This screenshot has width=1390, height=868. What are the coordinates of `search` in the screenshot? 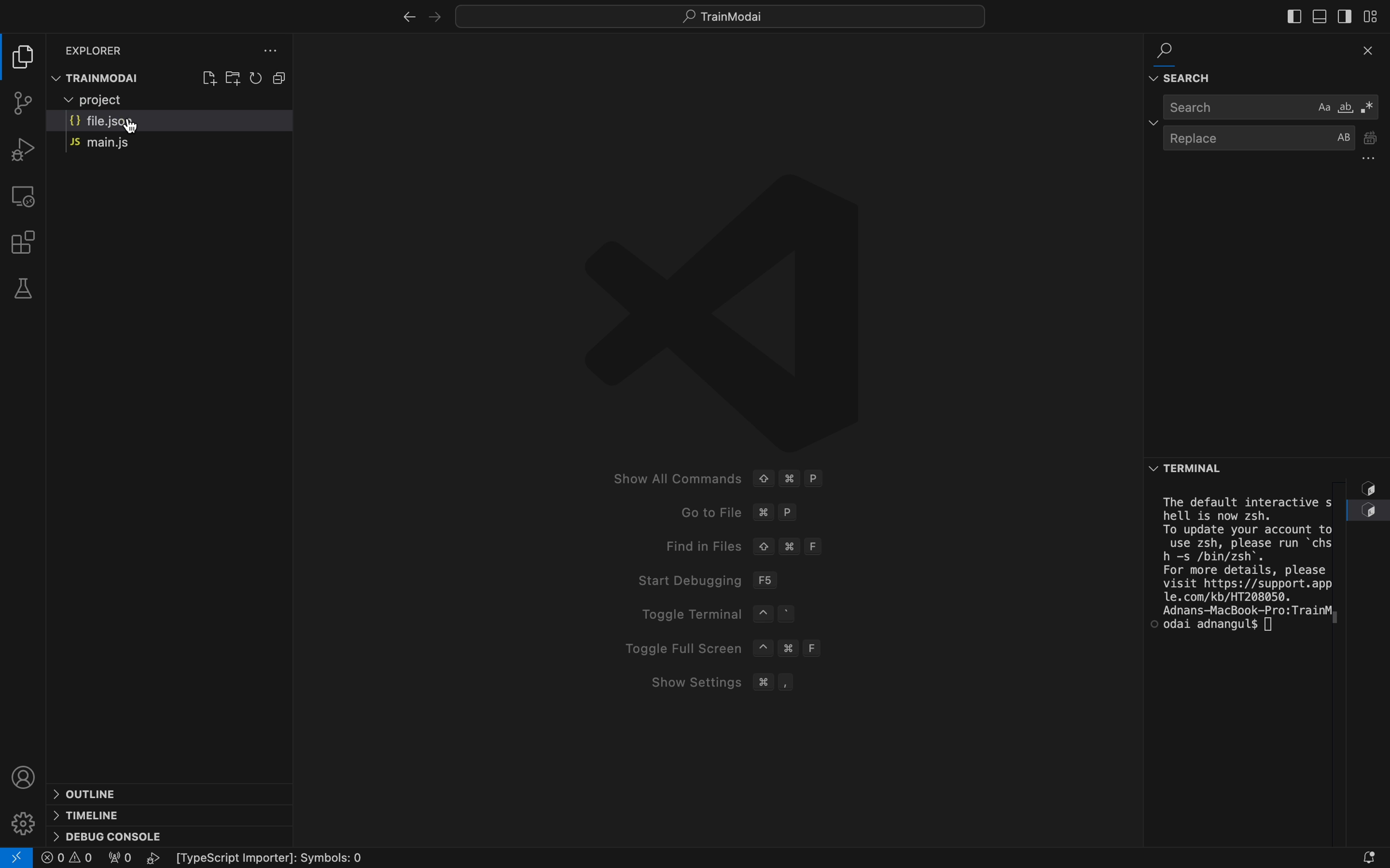 It's located at (1177, 42).